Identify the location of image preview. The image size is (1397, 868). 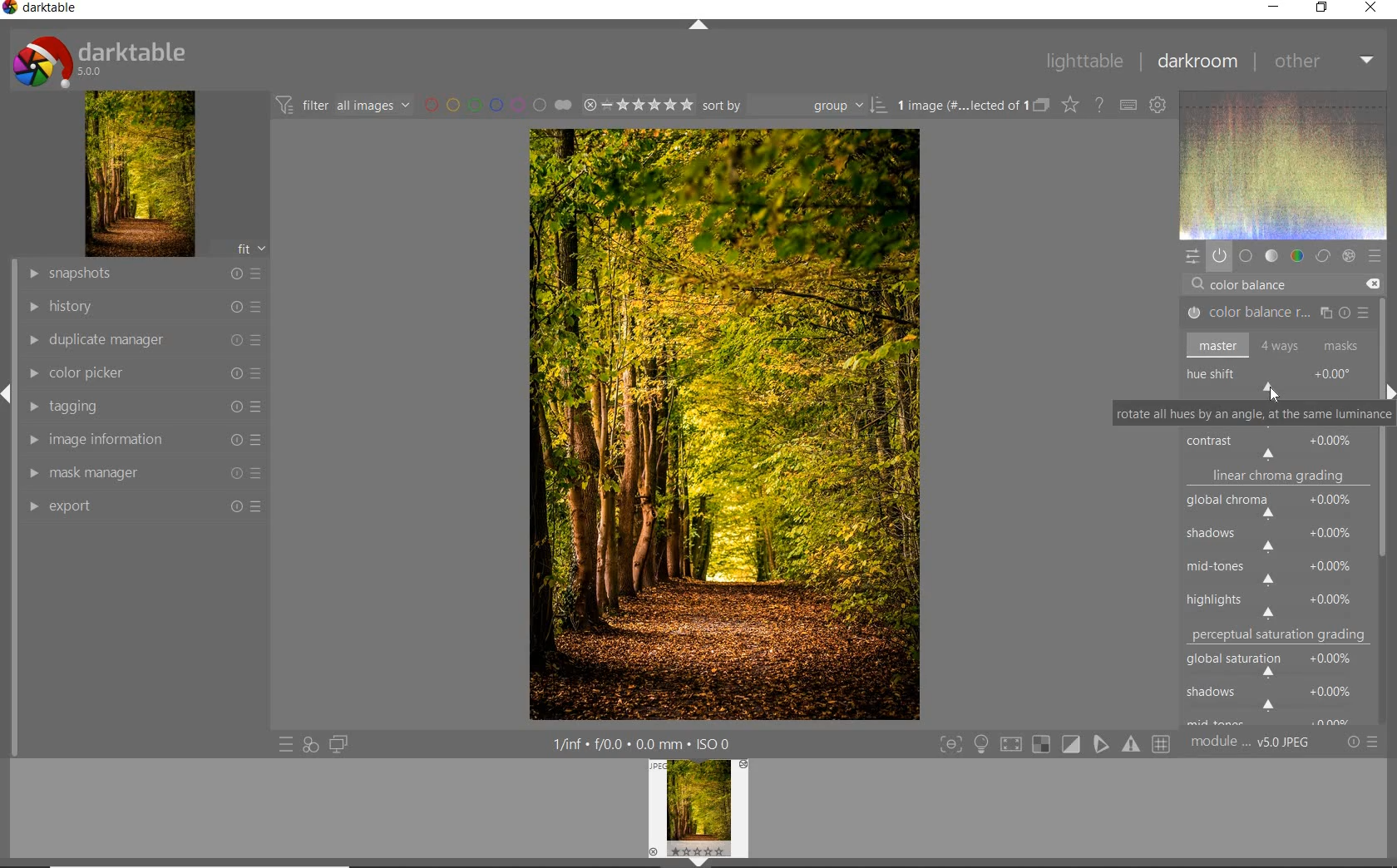
(698, 814).